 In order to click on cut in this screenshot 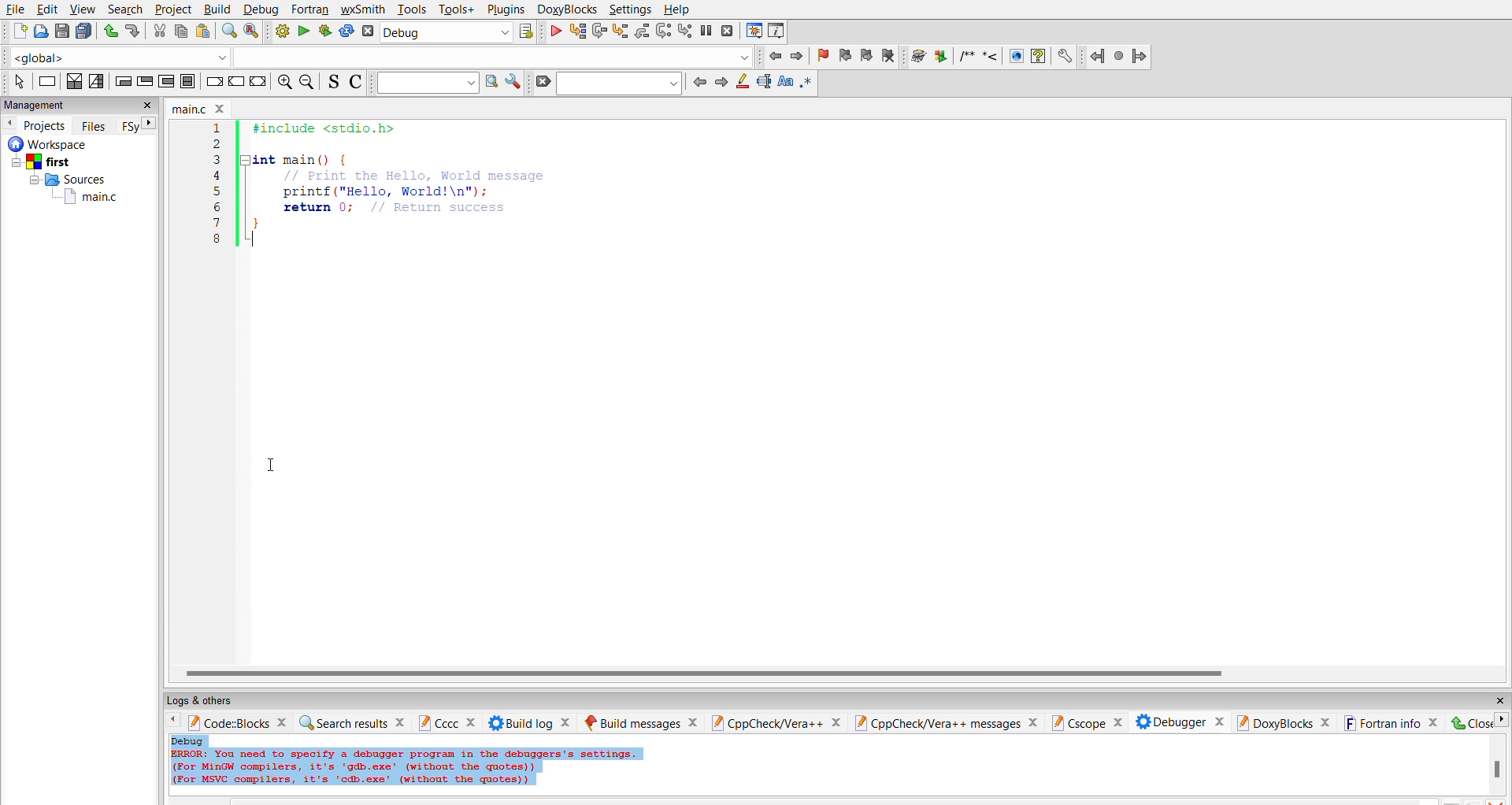, I will do `click(159, 32)`.